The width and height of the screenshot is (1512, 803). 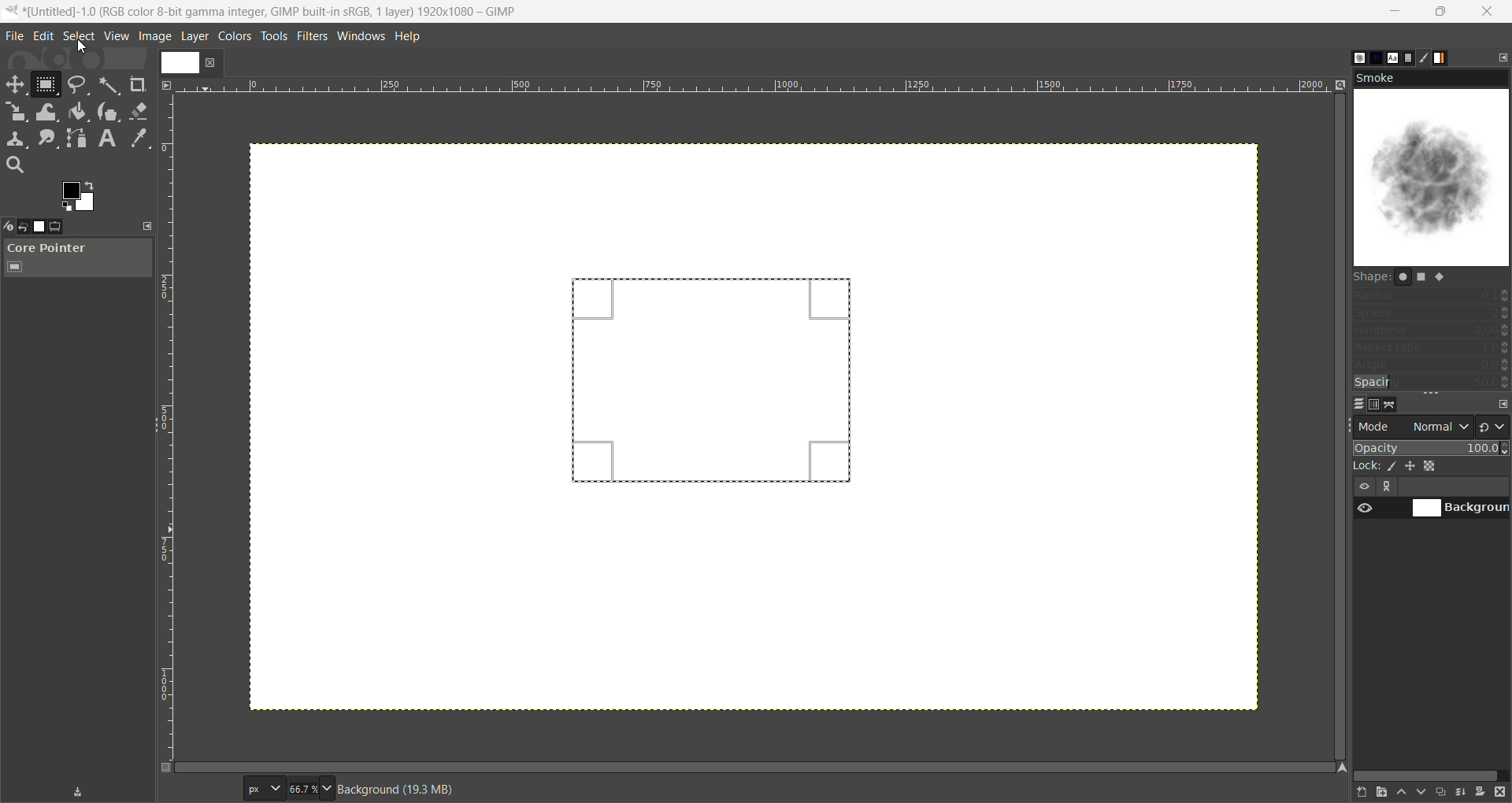 I want to click on ink tool, so click(x=109, y=112).